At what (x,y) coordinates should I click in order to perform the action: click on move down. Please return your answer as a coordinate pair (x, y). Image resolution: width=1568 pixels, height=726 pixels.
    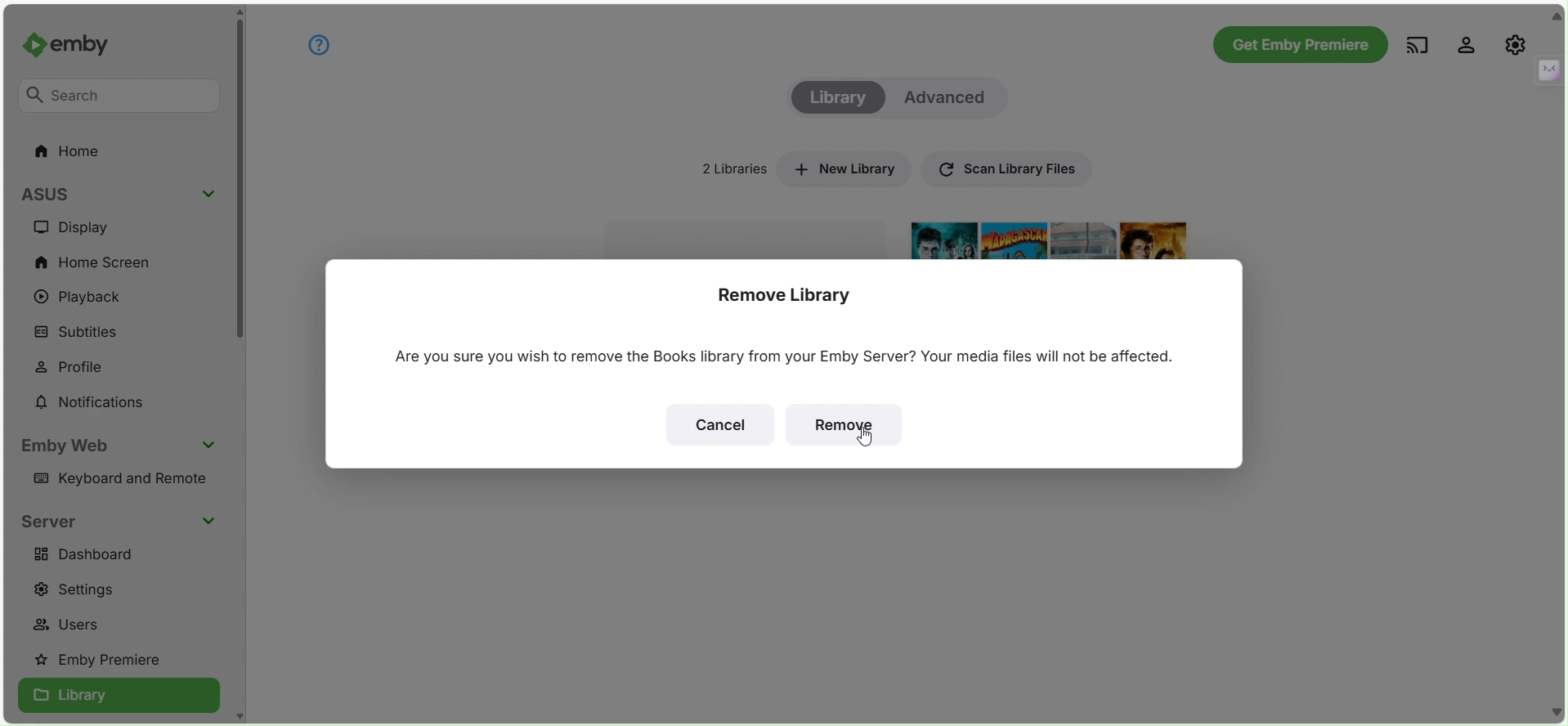
    Looking at the image, I should click on (1557, 711).